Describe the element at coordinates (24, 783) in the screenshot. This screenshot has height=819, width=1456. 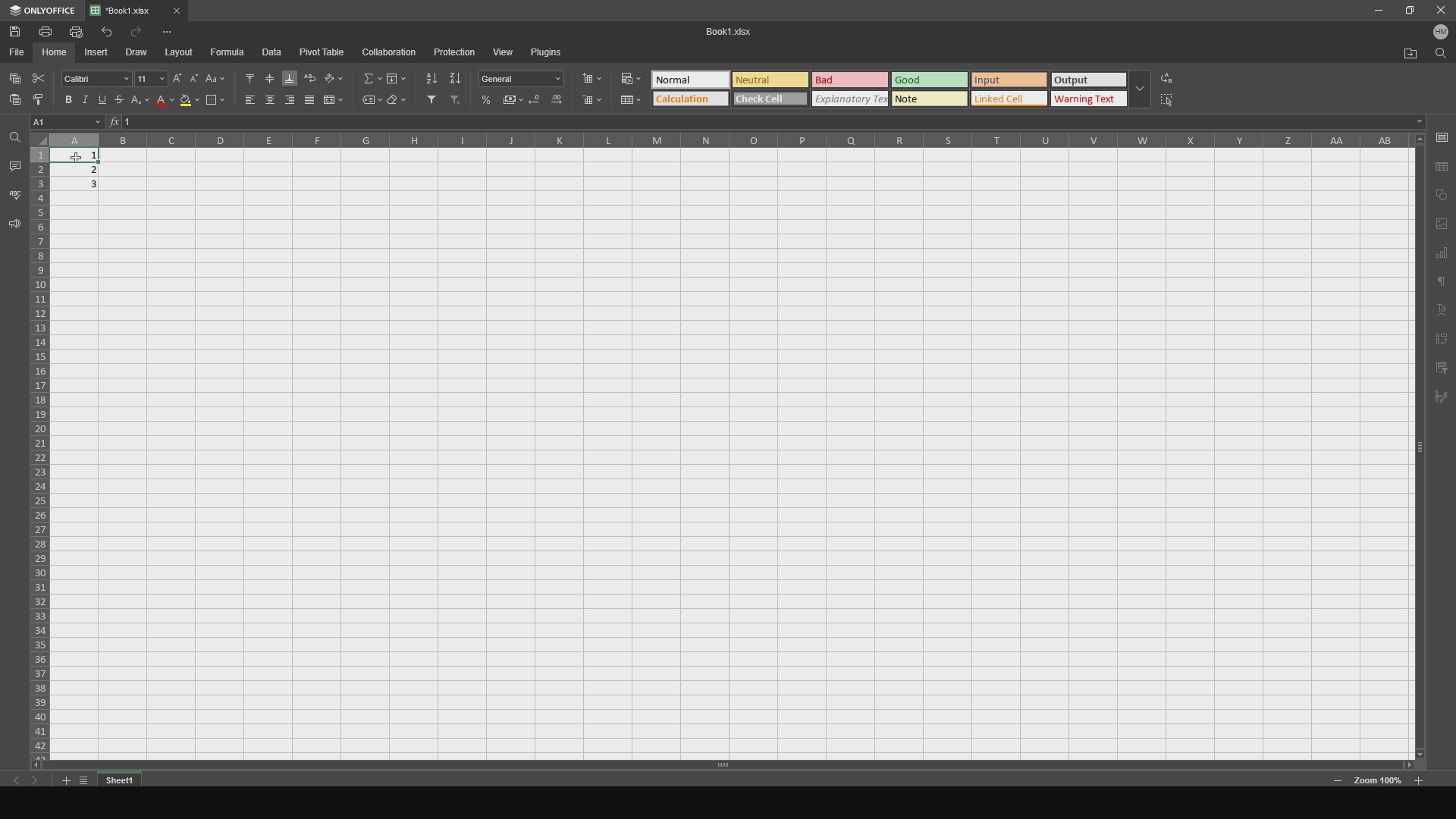
I see `previous sheet` at that location.